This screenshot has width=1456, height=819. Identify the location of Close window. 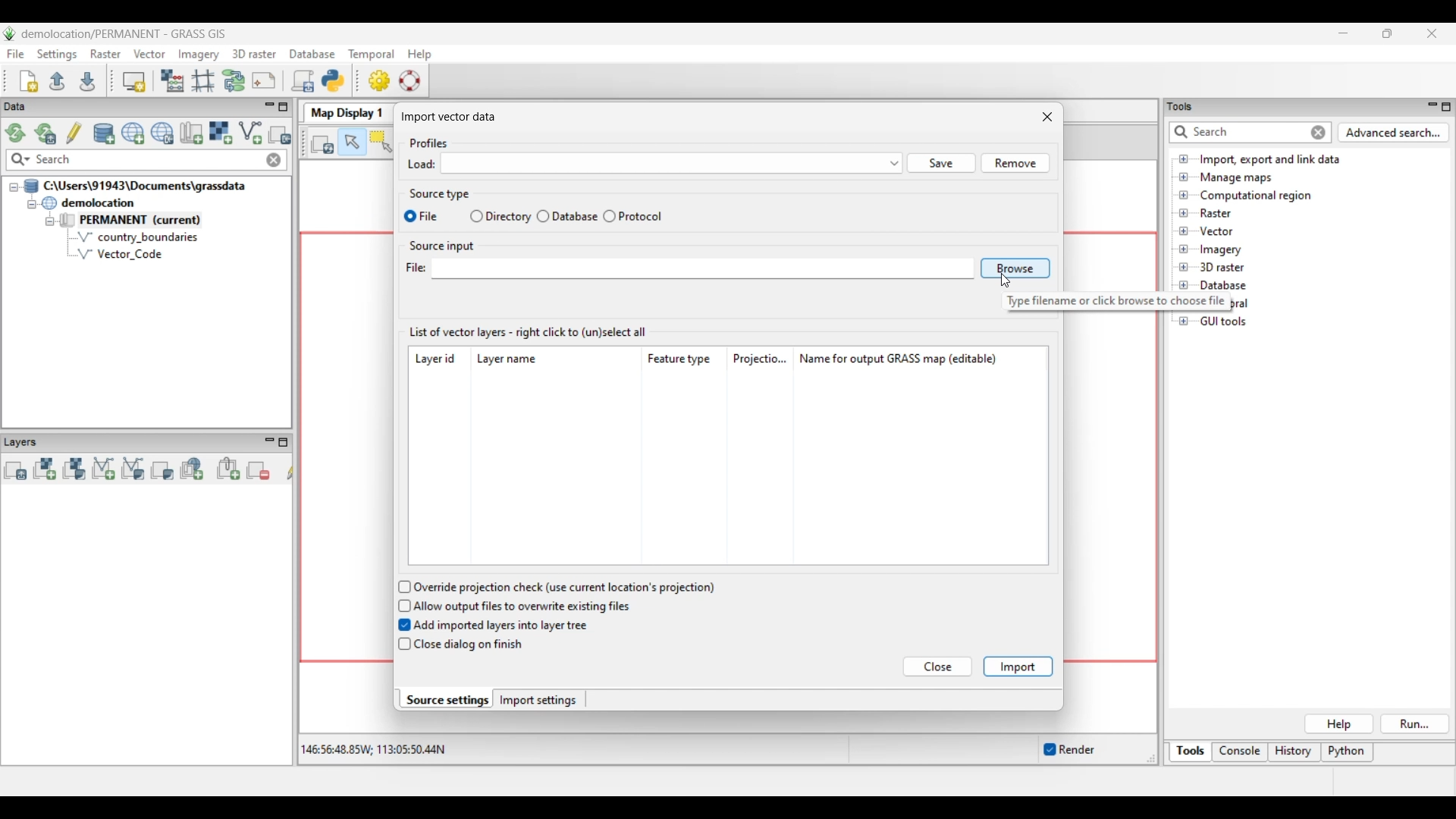
(1048, 117).